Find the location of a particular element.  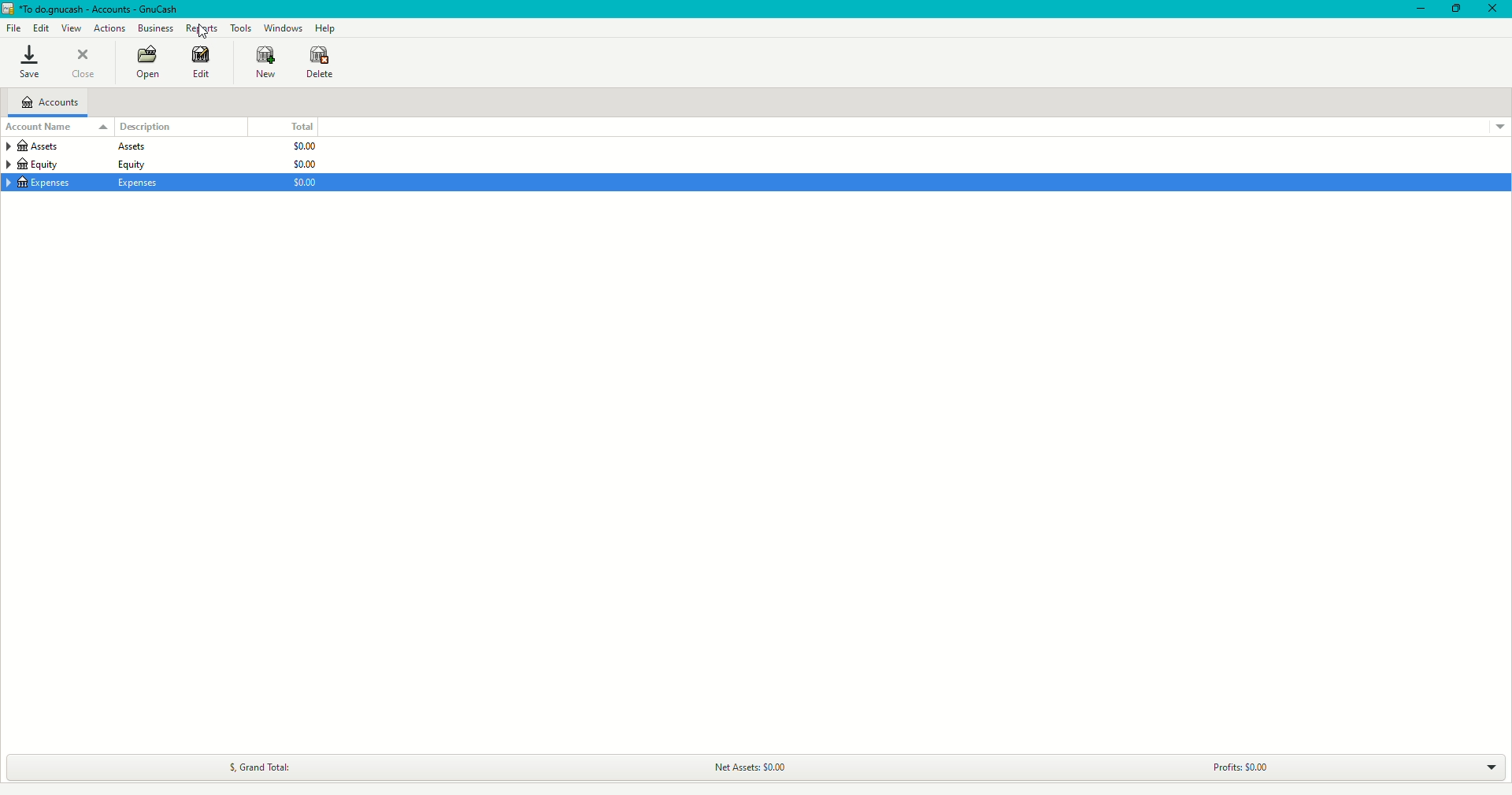

Edit is located at coordinates (201, 65).